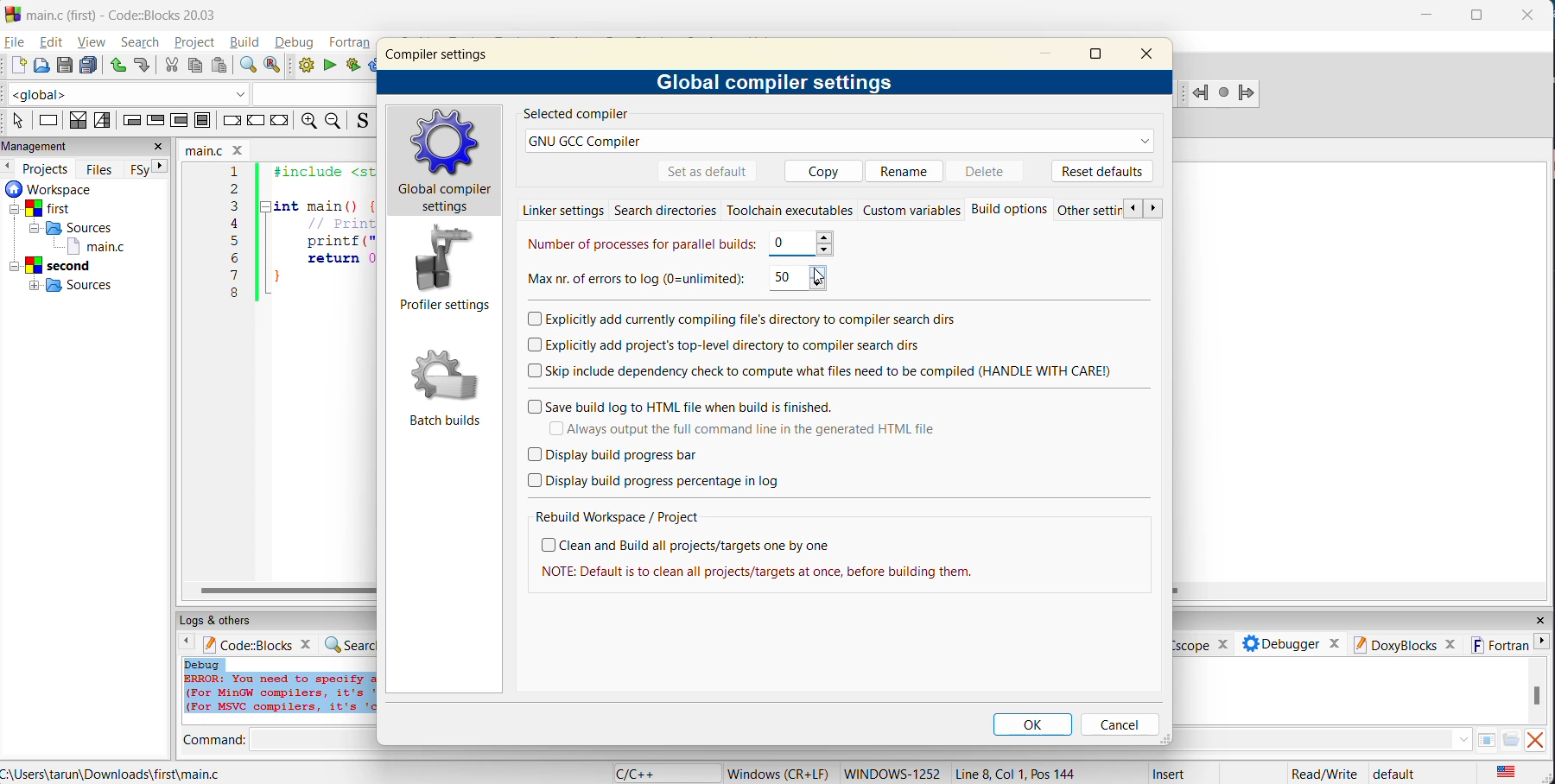 This screenshot has height=784, width=1555. Describe the element at coordinates (296, 41) in the screenshot. I see `debug` at that location.